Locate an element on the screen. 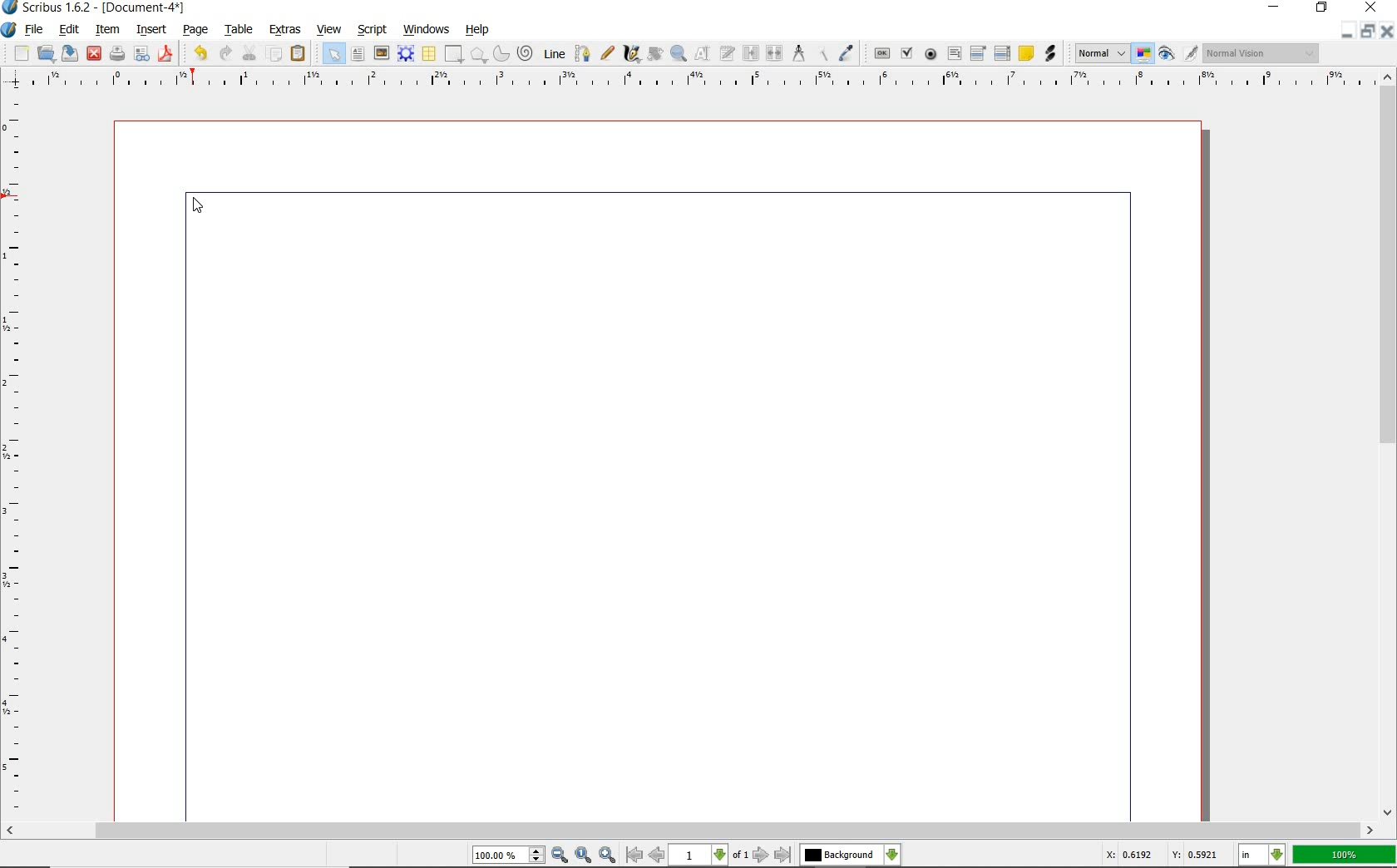 The width and height of the screenshot is (1397, 868). pdf radio button is located at coordinates (929, 55).